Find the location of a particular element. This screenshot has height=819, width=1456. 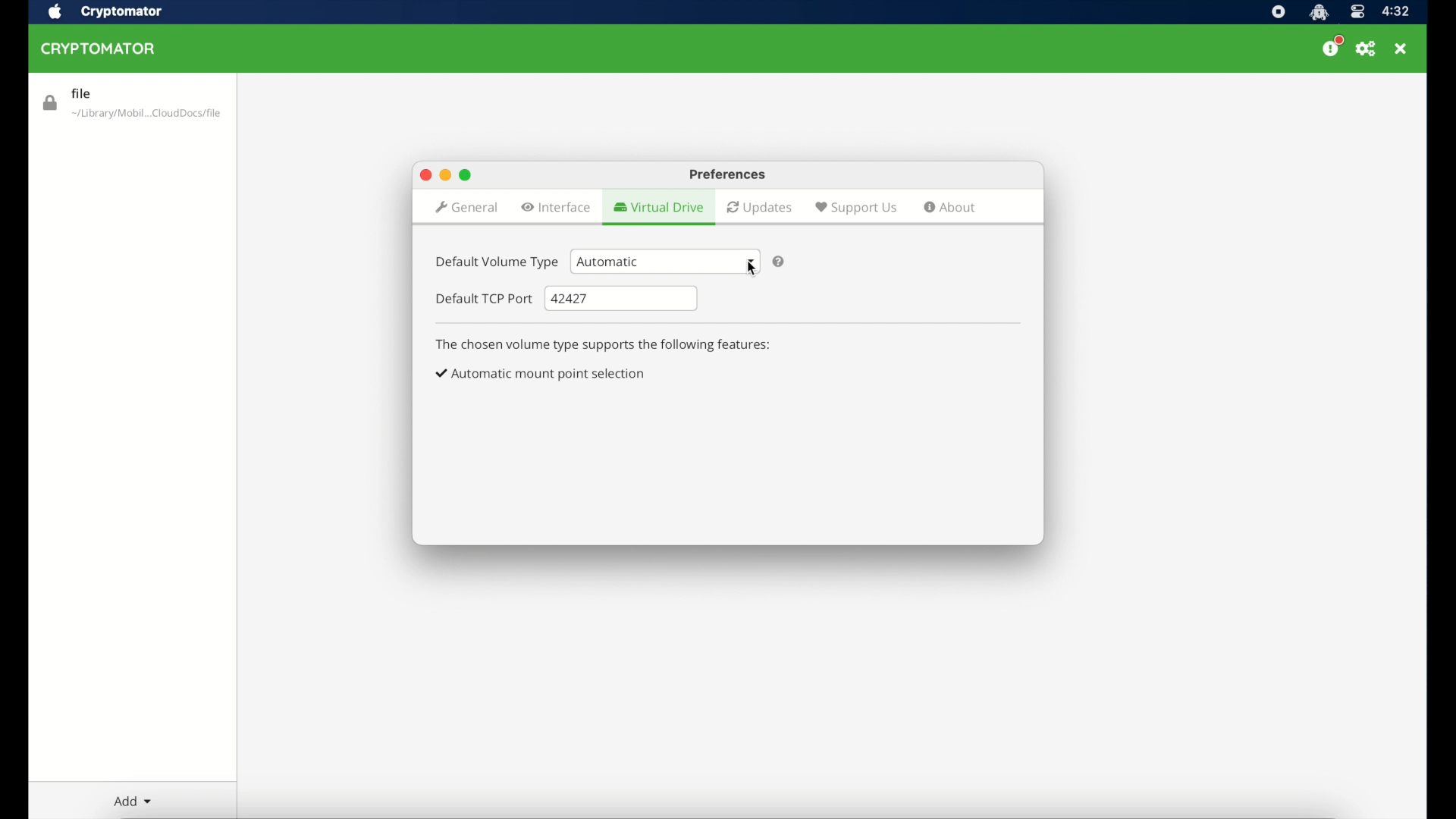

cryptomator is located at coordinates (121, 12).